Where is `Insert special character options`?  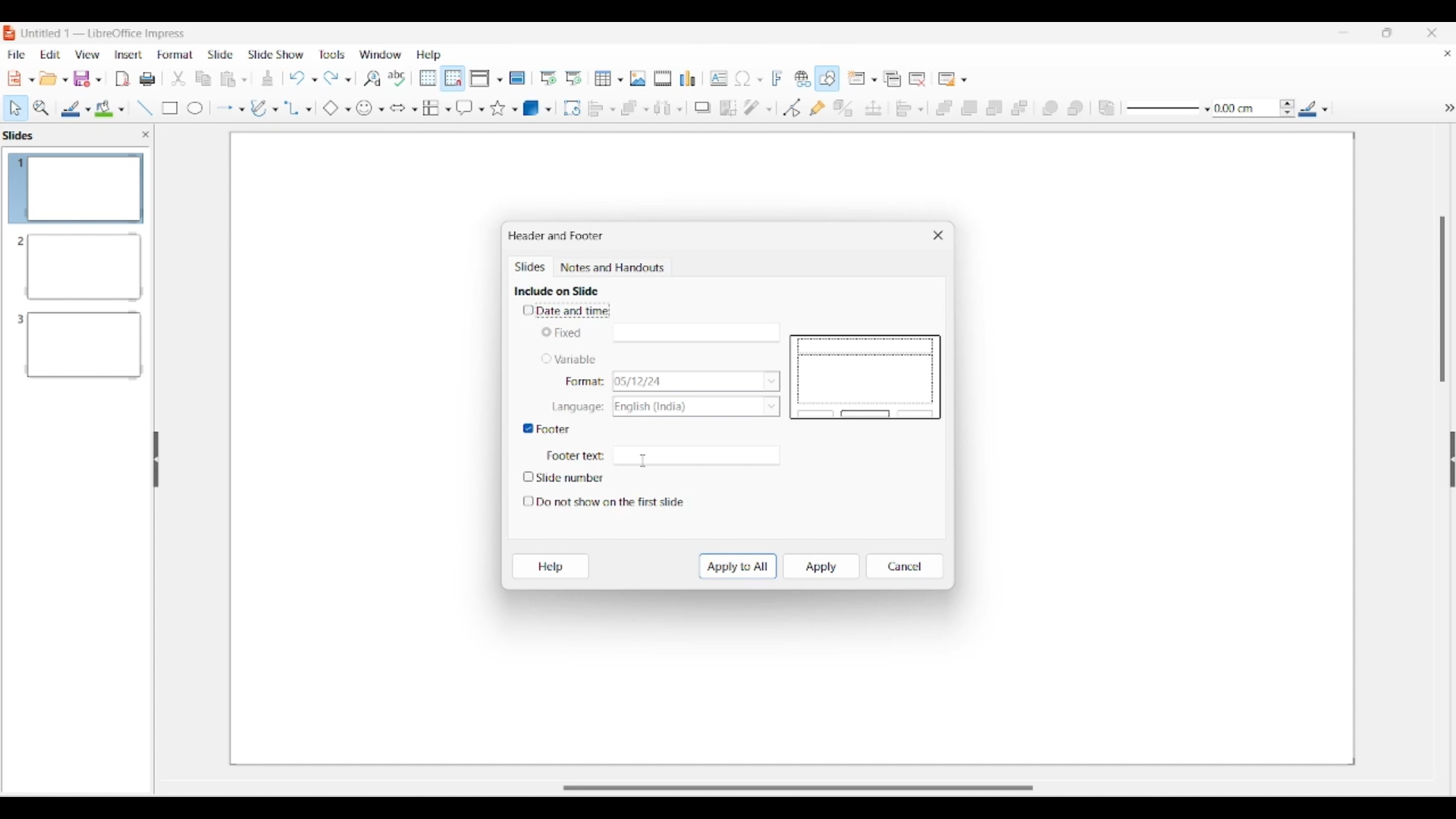 Insert special character options is located at coordinates (748, 78).